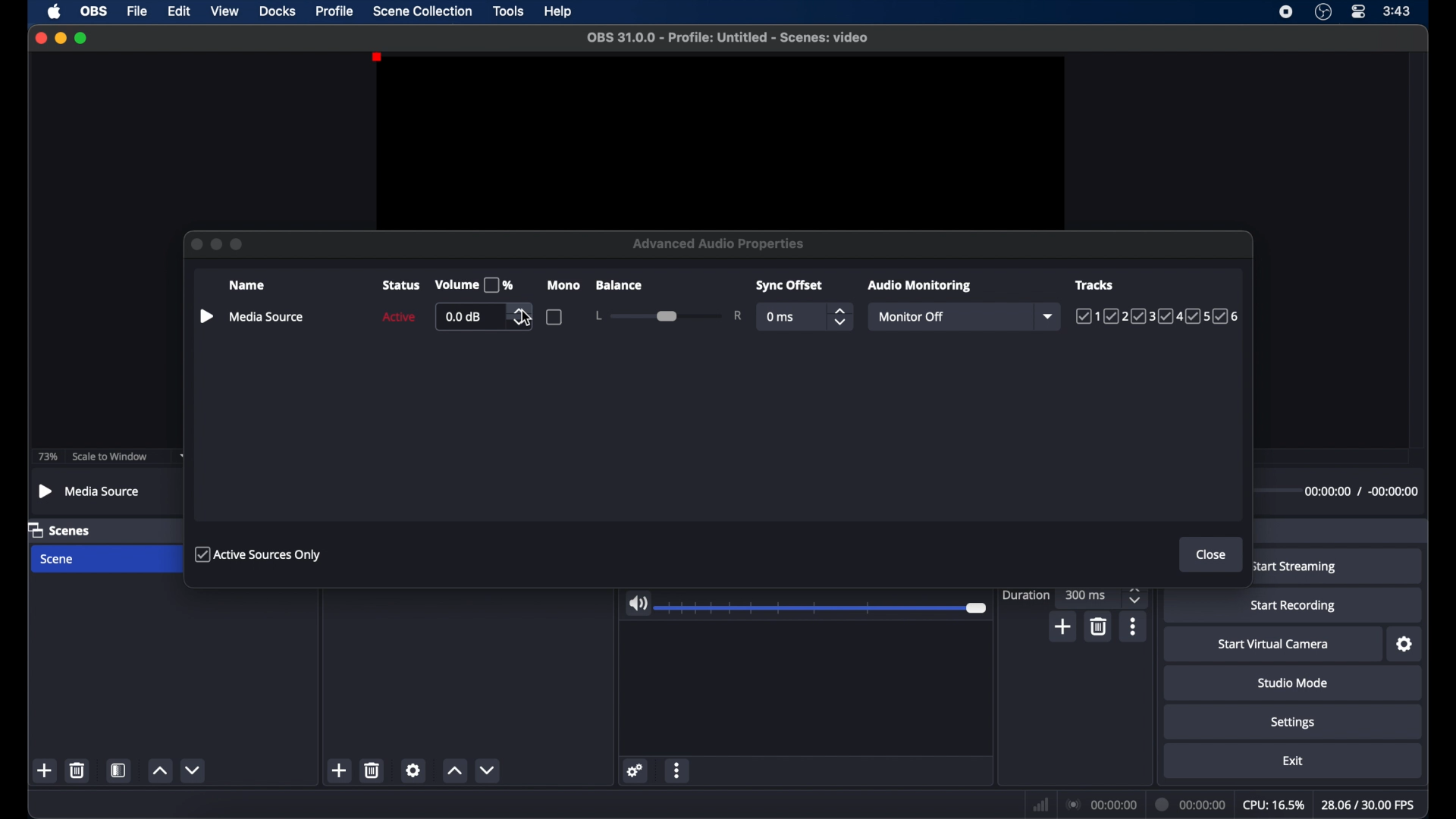  Describe the element at coordinates (45, 770) in the screenshot. I see `add` at that location.